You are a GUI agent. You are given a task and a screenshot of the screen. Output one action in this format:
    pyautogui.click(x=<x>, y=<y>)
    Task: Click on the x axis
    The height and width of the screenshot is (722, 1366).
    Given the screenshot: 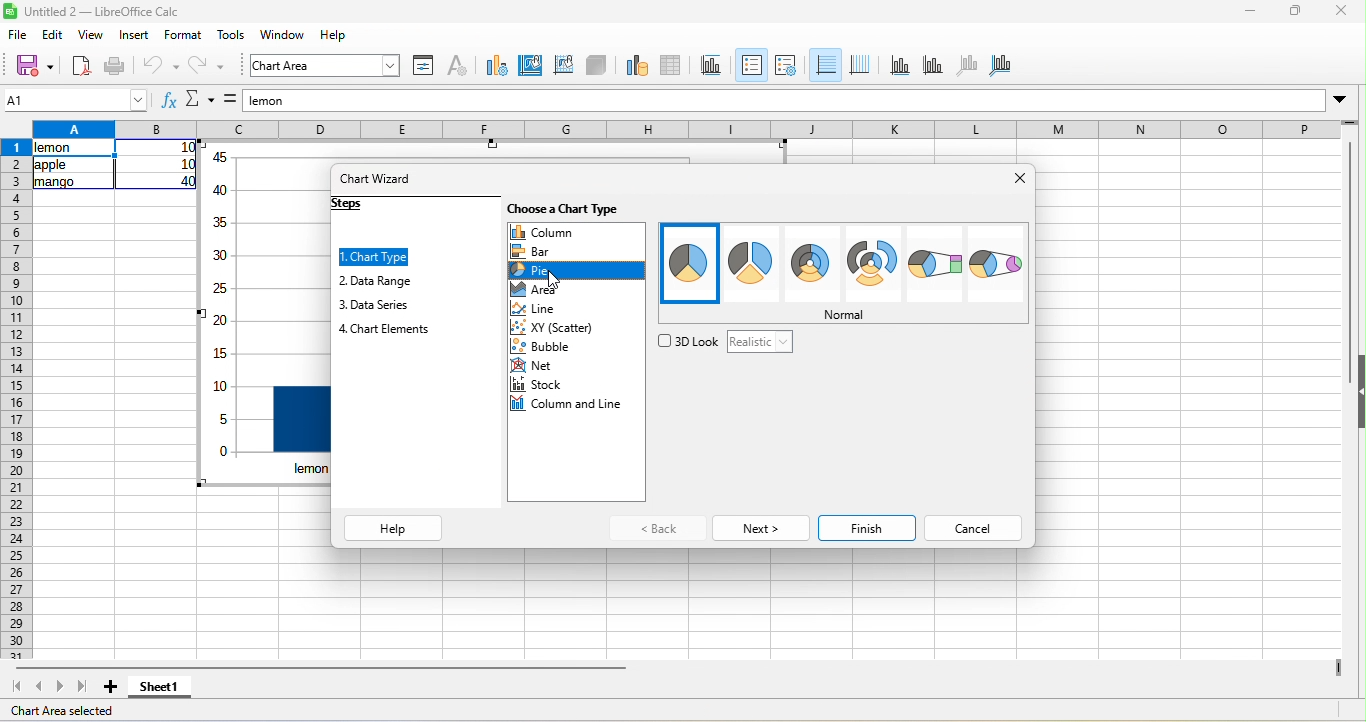 What is the action you would take?
    pyautogui.click(x=899, y=67)
    